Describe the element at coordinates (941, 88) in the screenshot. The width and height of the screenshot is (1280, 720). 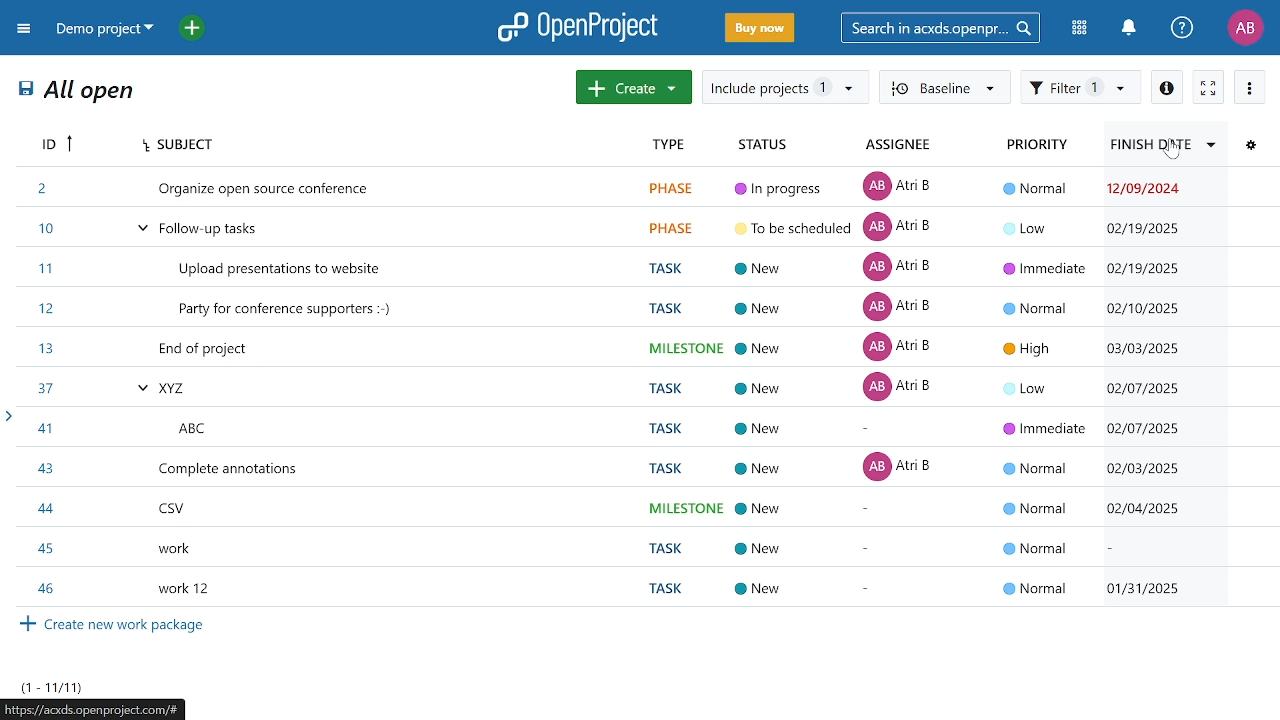
I see `Baseline` at that location.